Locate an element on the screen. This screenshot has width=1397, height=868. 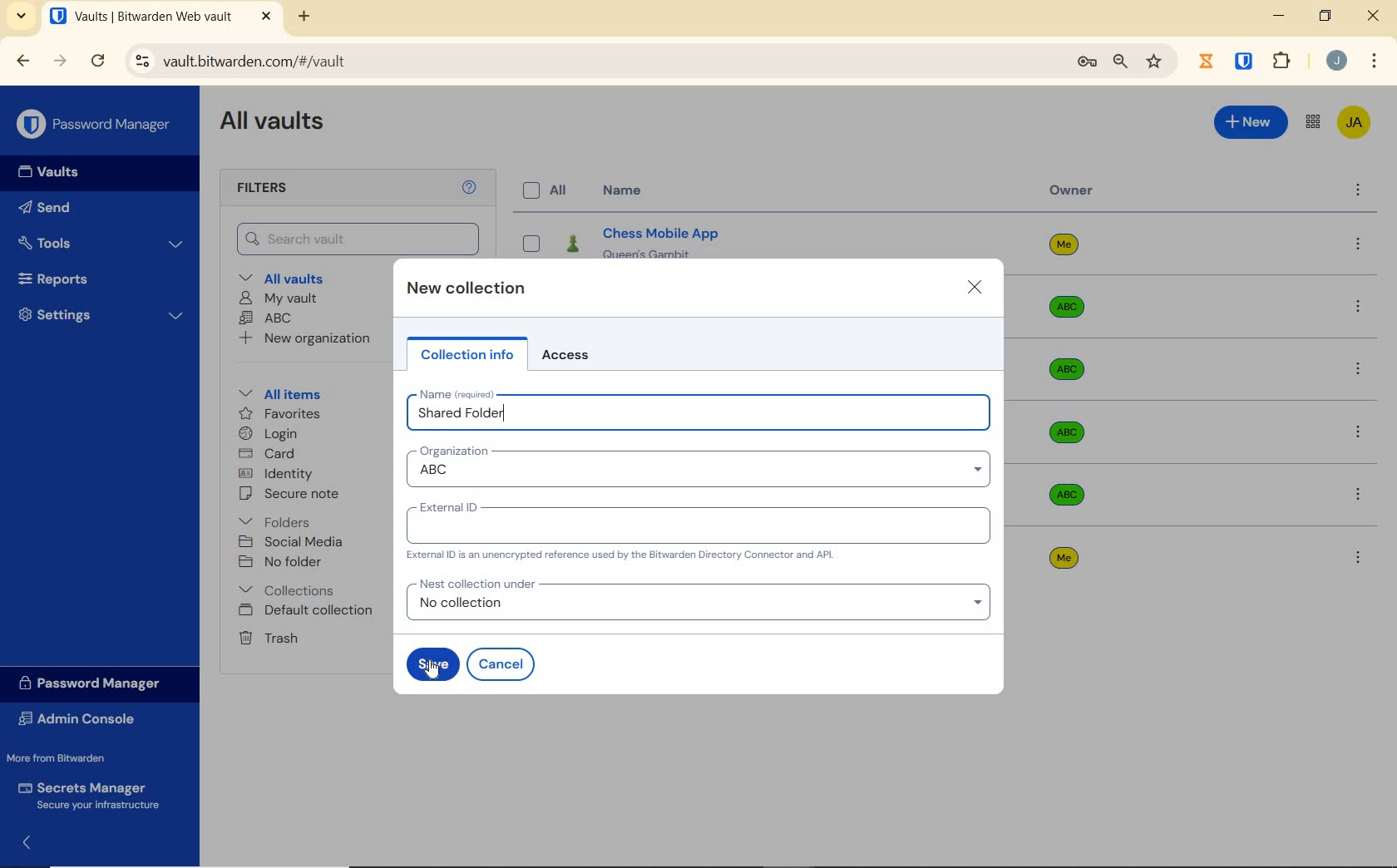
Bitwarden Account is located at coordinates (1355, 124).